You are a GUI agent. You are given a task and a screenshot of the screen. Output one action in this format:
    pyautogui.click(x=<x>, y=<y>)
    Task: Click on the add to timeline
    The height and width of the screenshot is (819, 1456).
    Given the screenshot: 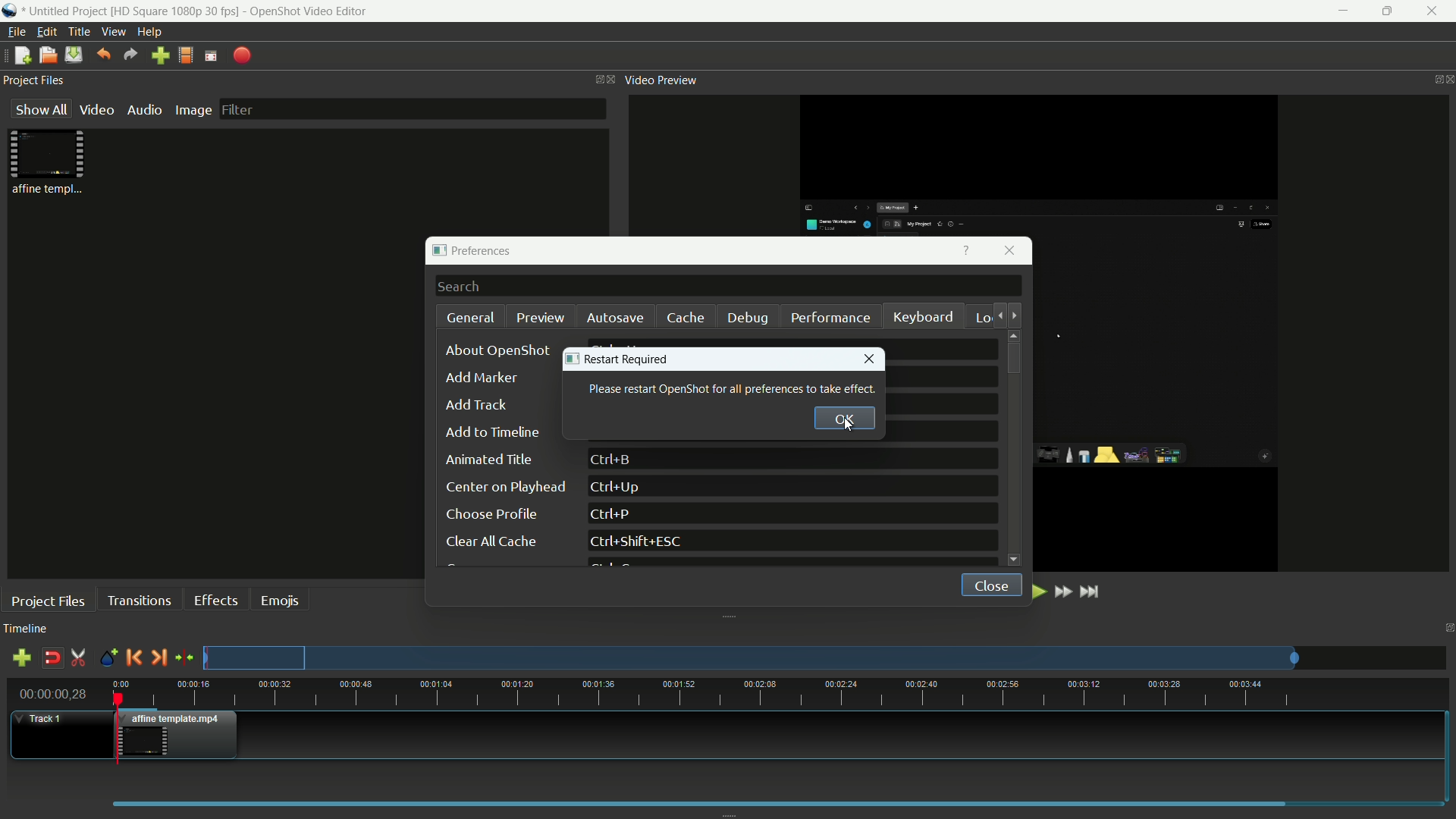 What is the action you would take?
    pyautogui.click(x=492, y=432)
    